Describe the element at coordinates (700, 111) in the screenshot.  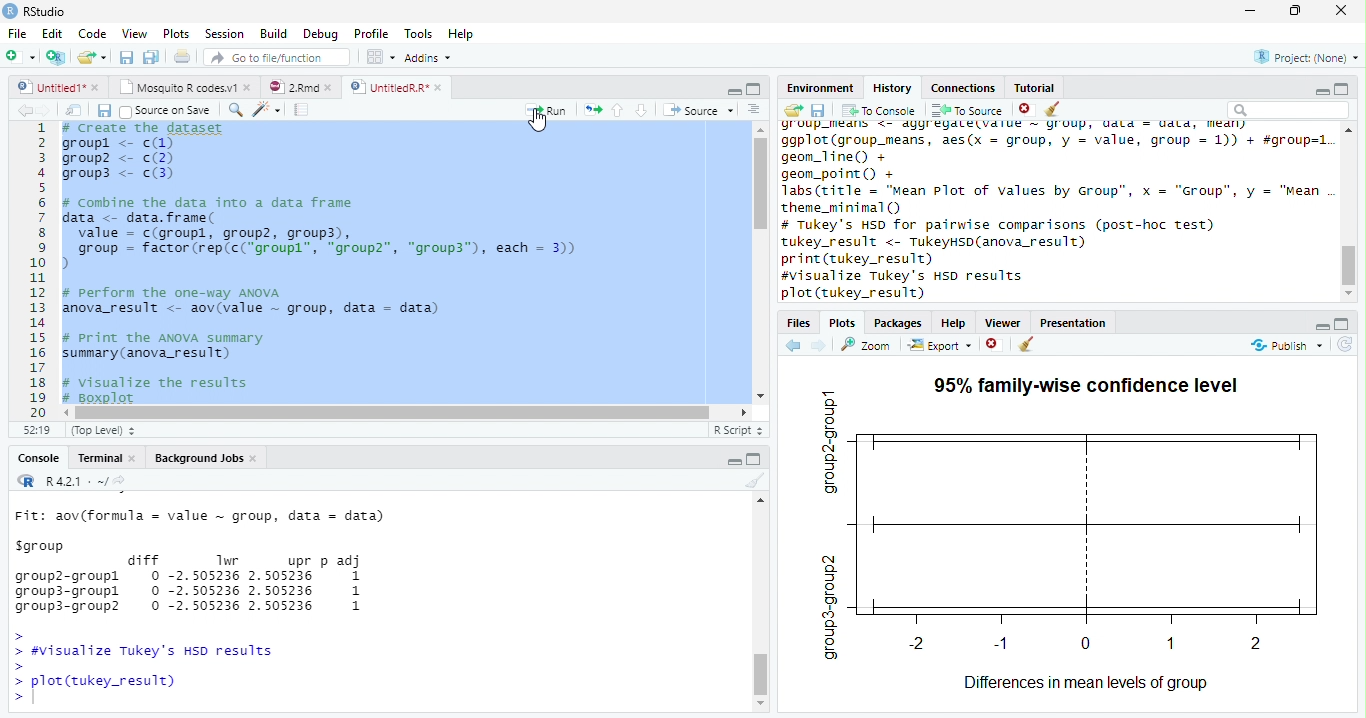
I see `Source` at that location.